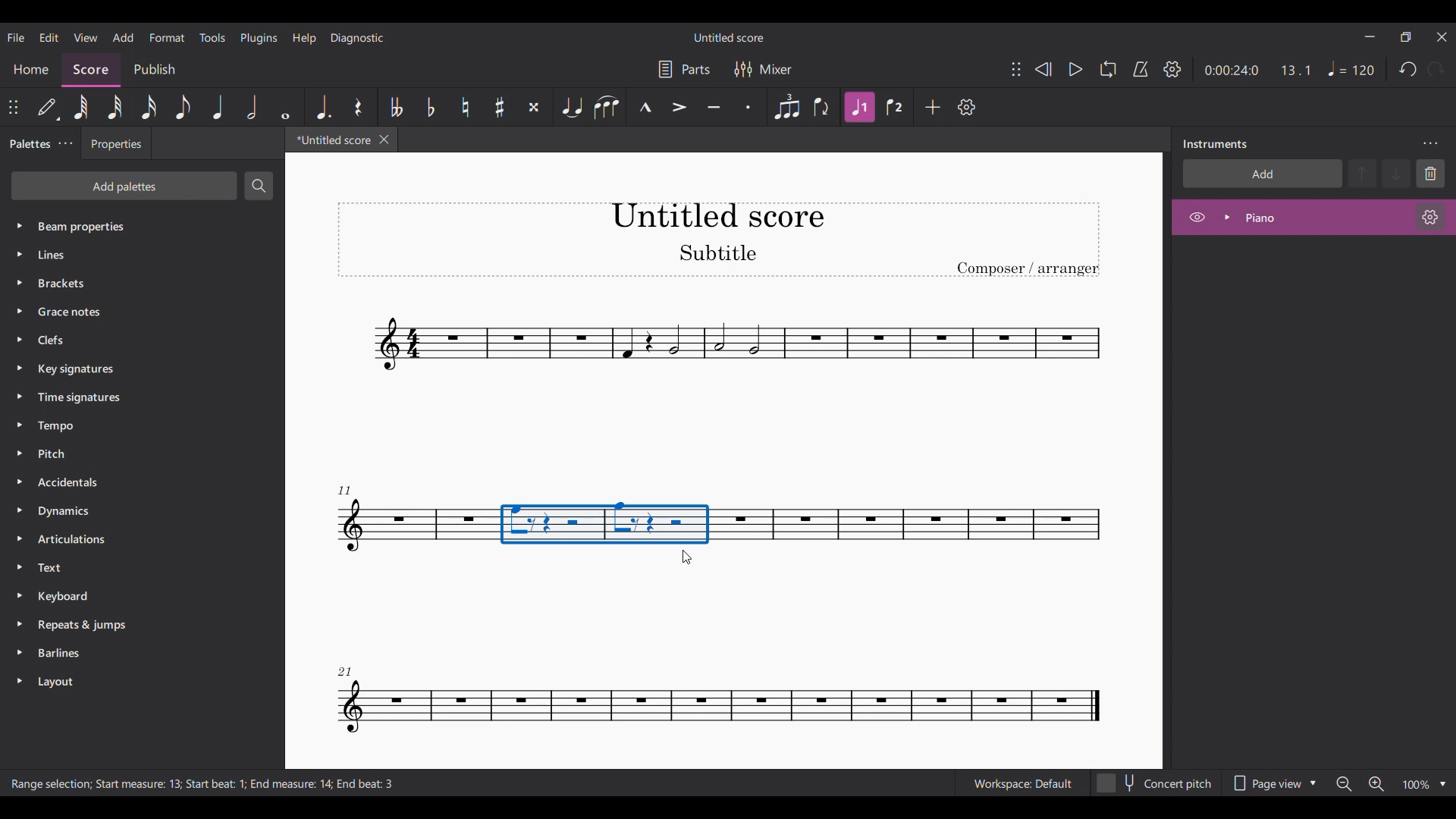 This screenshot has height=819, width=1456. What do you see at coordinates (1443, 784) in the screenshot?
I see `Zoom options` at bounding box center [1443, 784].